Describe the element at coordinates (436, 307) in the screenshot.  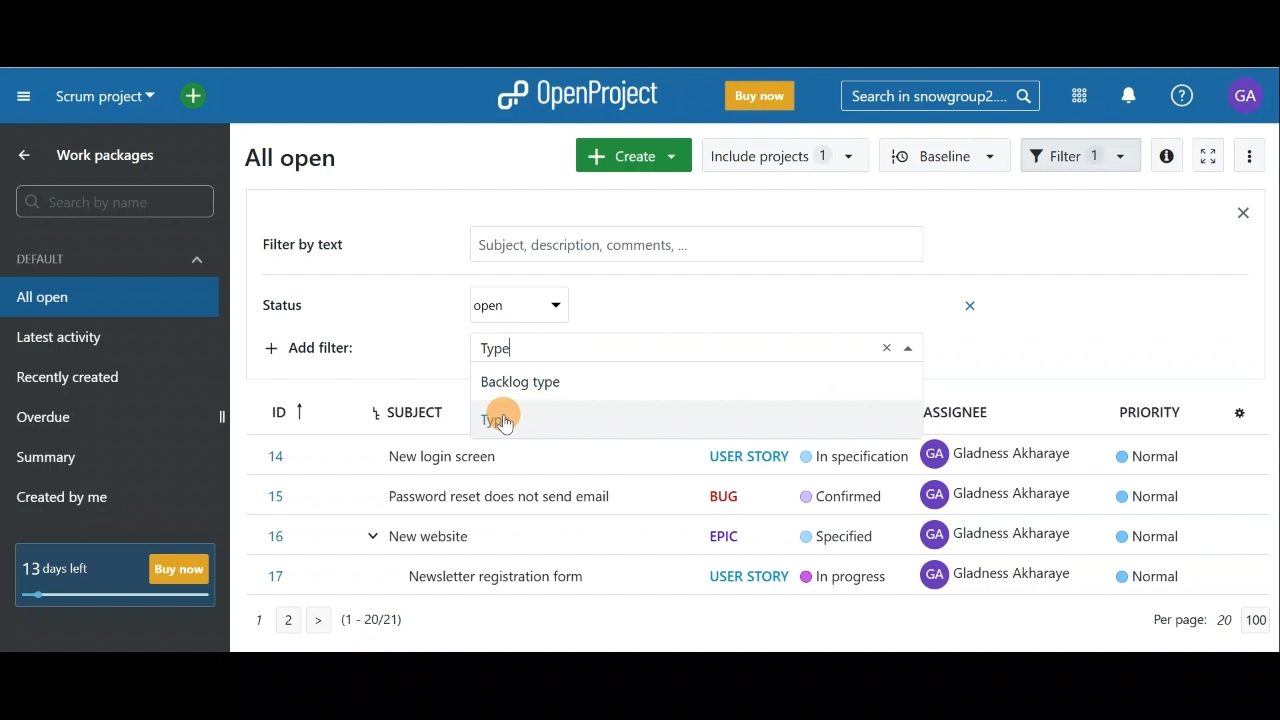
I see `Status` at that location.